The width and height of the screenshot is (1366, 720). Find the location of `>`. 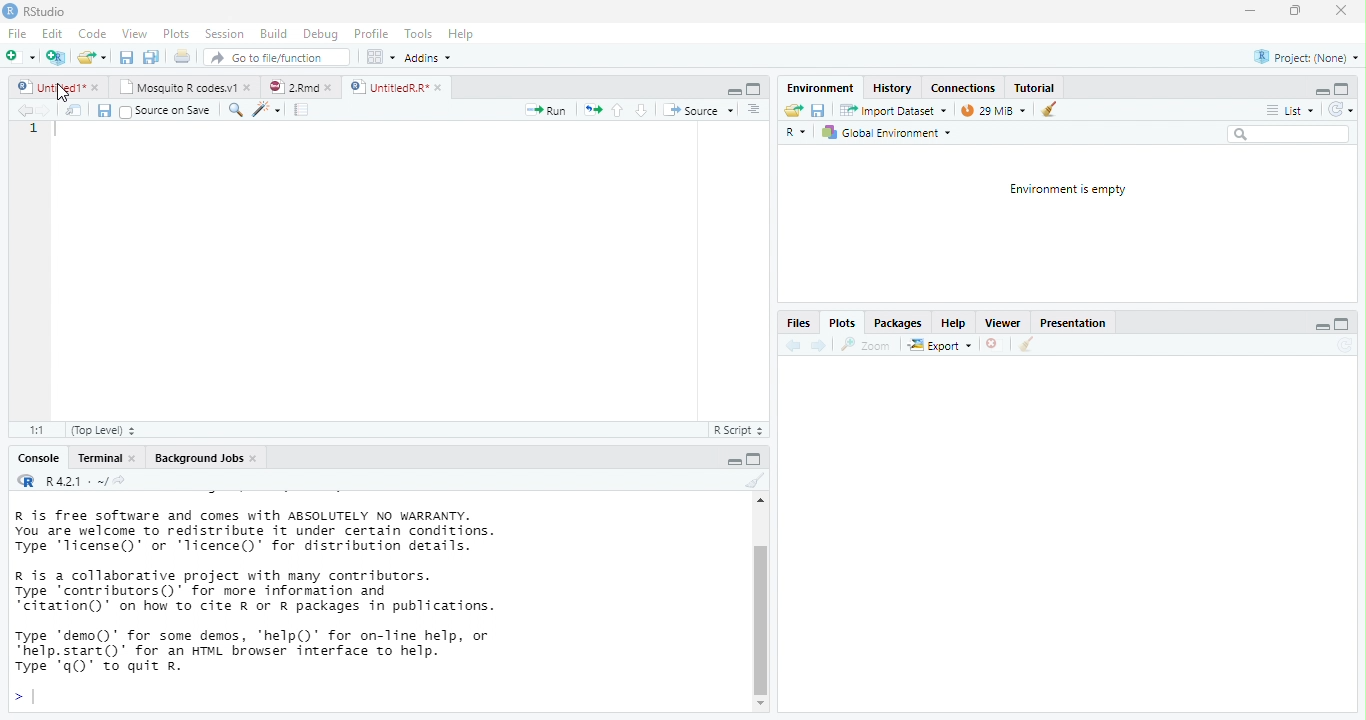

> is located at coordinates (23, 698).